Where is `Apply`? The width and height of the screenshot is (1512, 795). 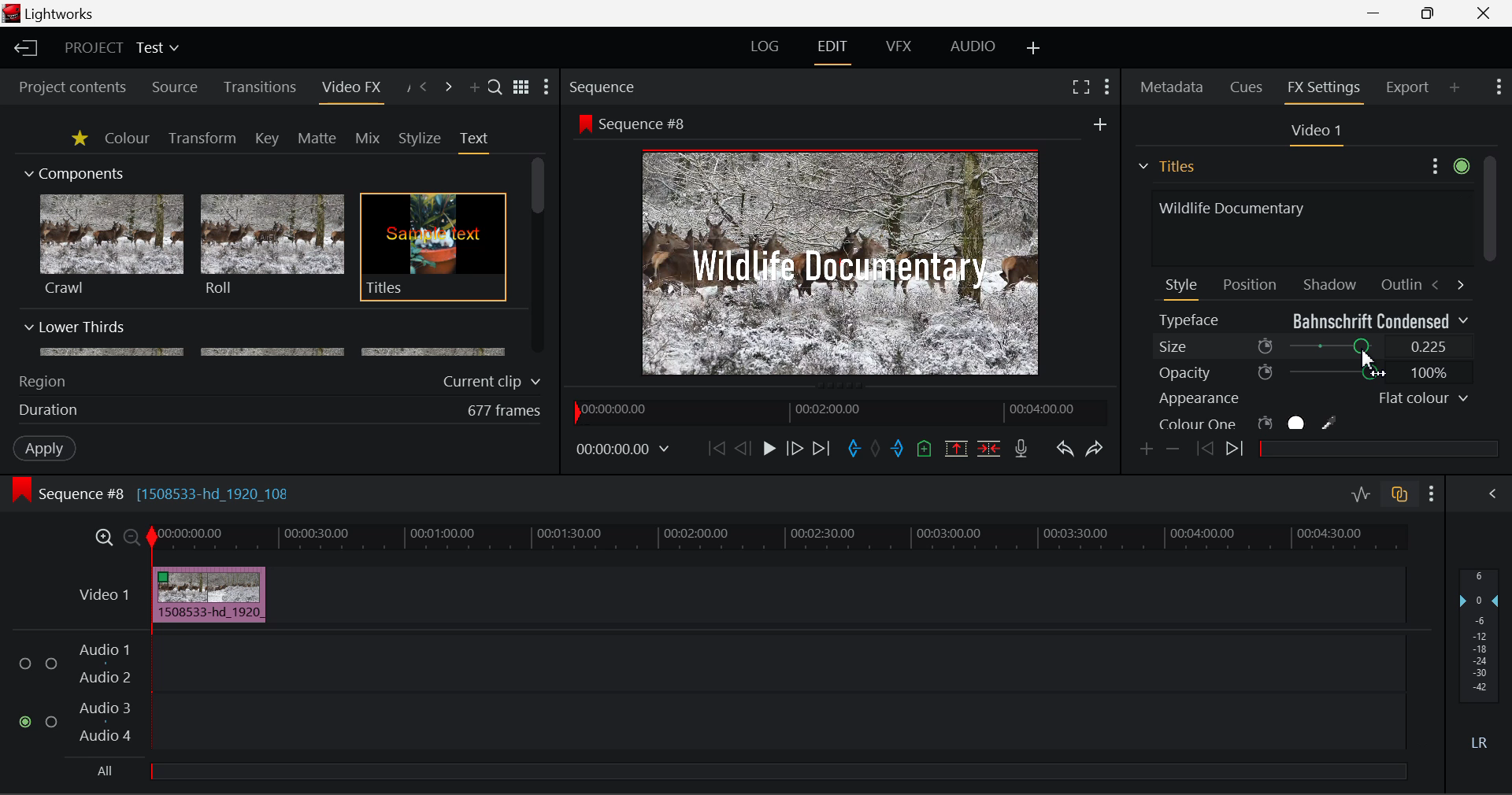 Apply is located at coordinates (46, 447).